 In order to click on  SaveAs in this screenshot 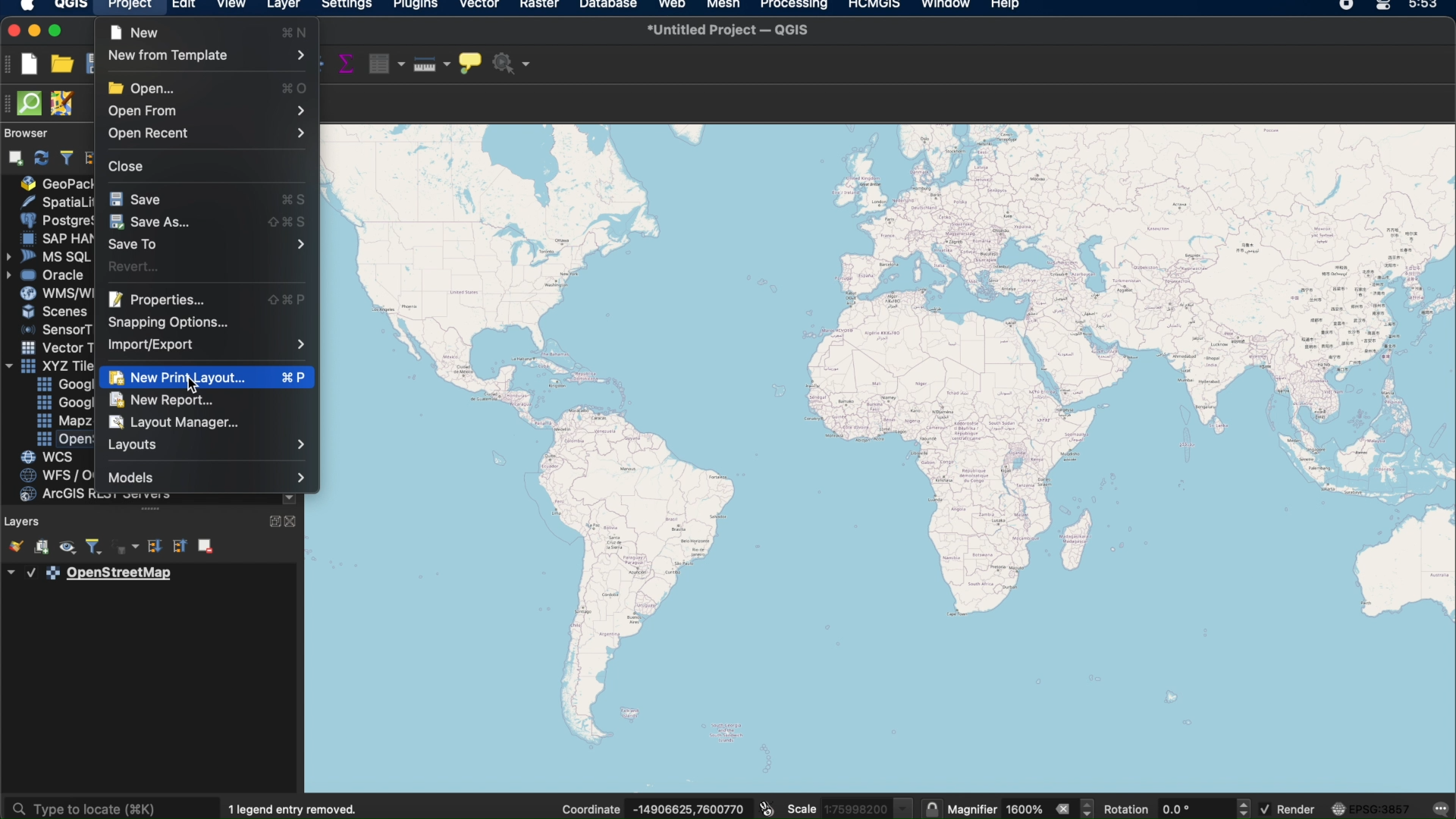, I will do `click(207, 221)`.